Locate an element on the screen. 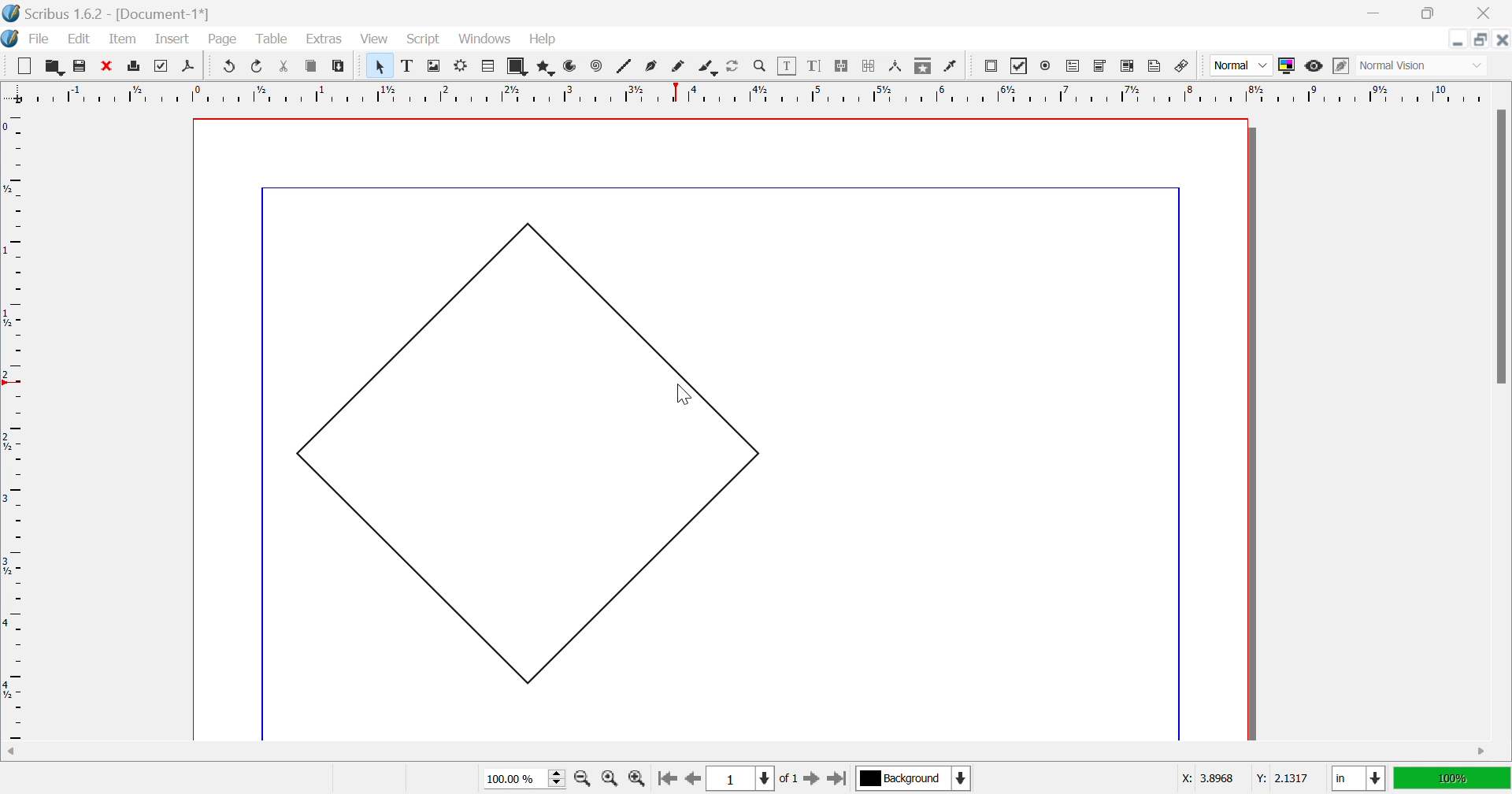  Restore down is located at coordinates (1481, 39).